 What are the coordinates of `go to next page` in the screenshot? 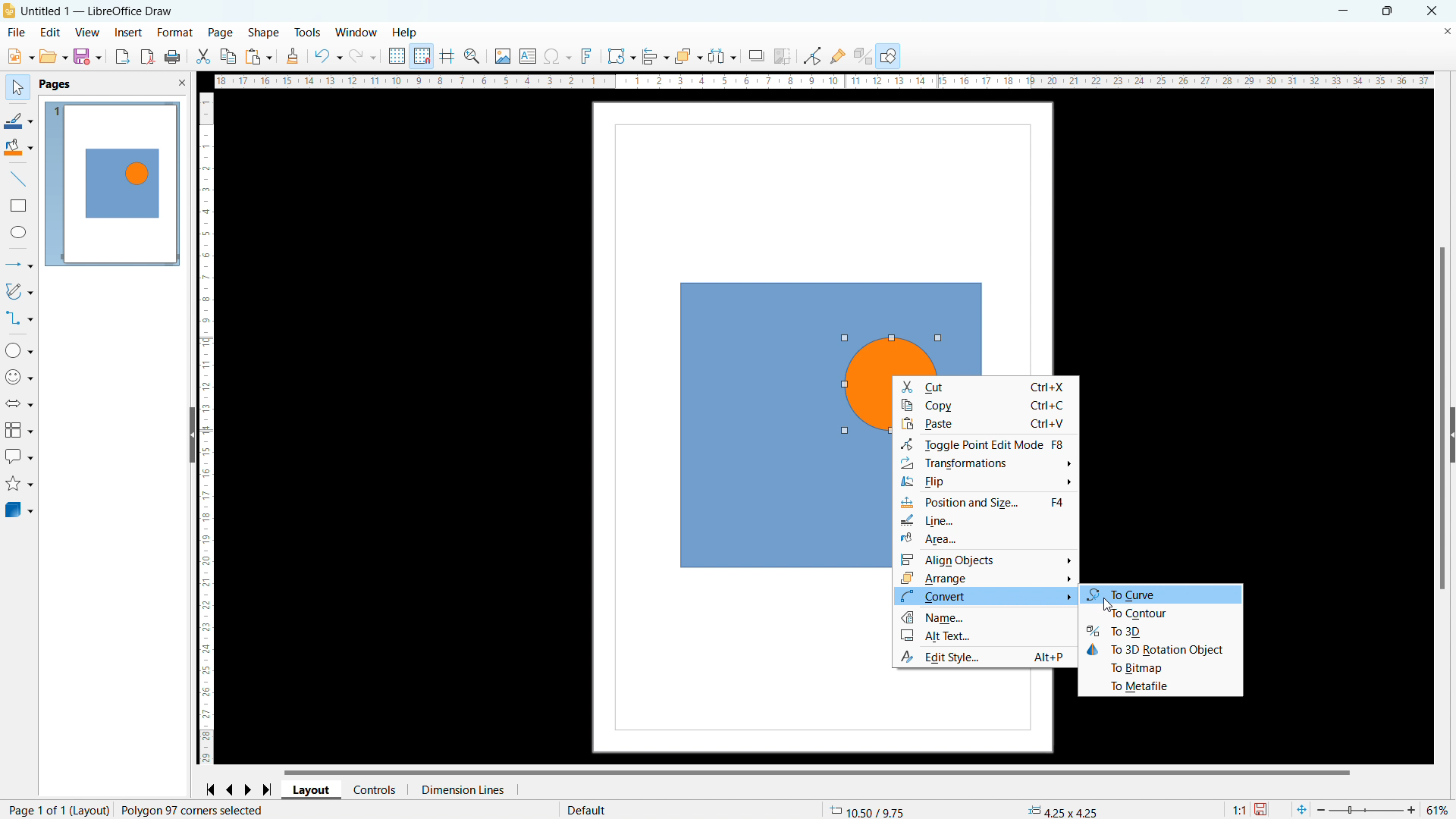 It's located at (248, 789).